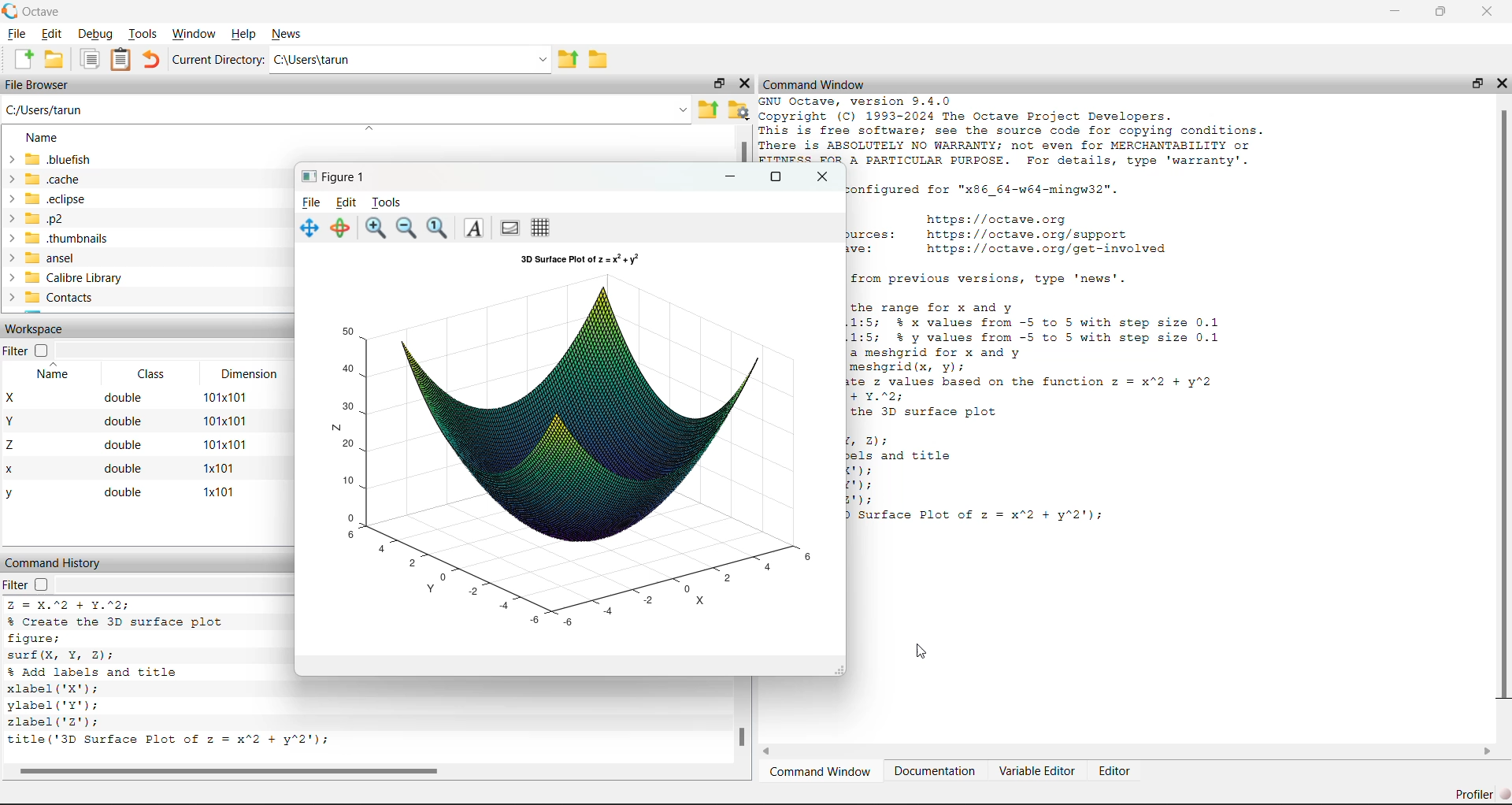 The image size is (1512, 805). Describe the element at coordinates (48, 689) in the screenshot. I see `xlabel ('X");` at that location.